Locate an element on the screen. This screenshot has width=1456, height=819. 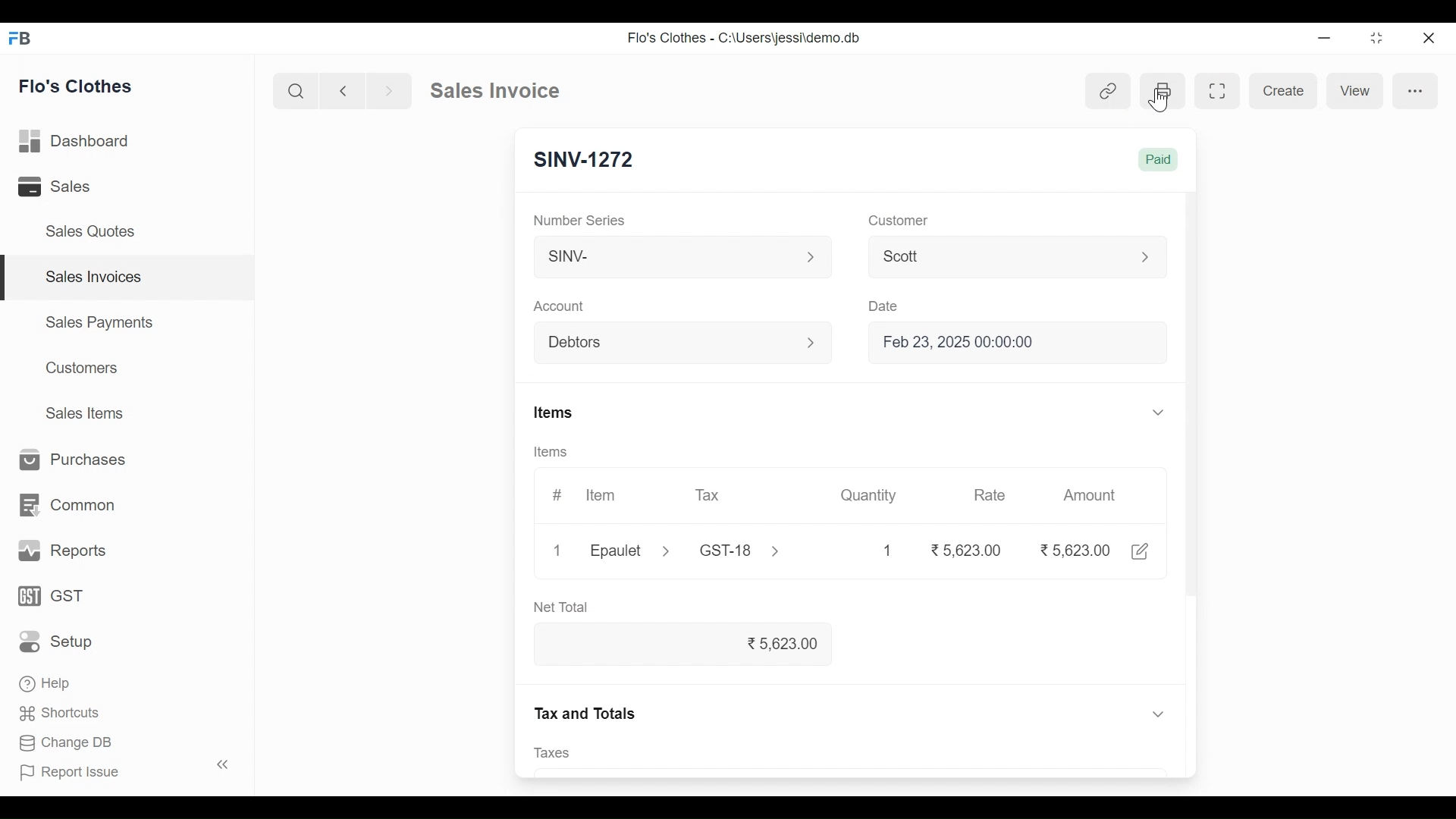
Change DB is located at coordinates (64, 742).